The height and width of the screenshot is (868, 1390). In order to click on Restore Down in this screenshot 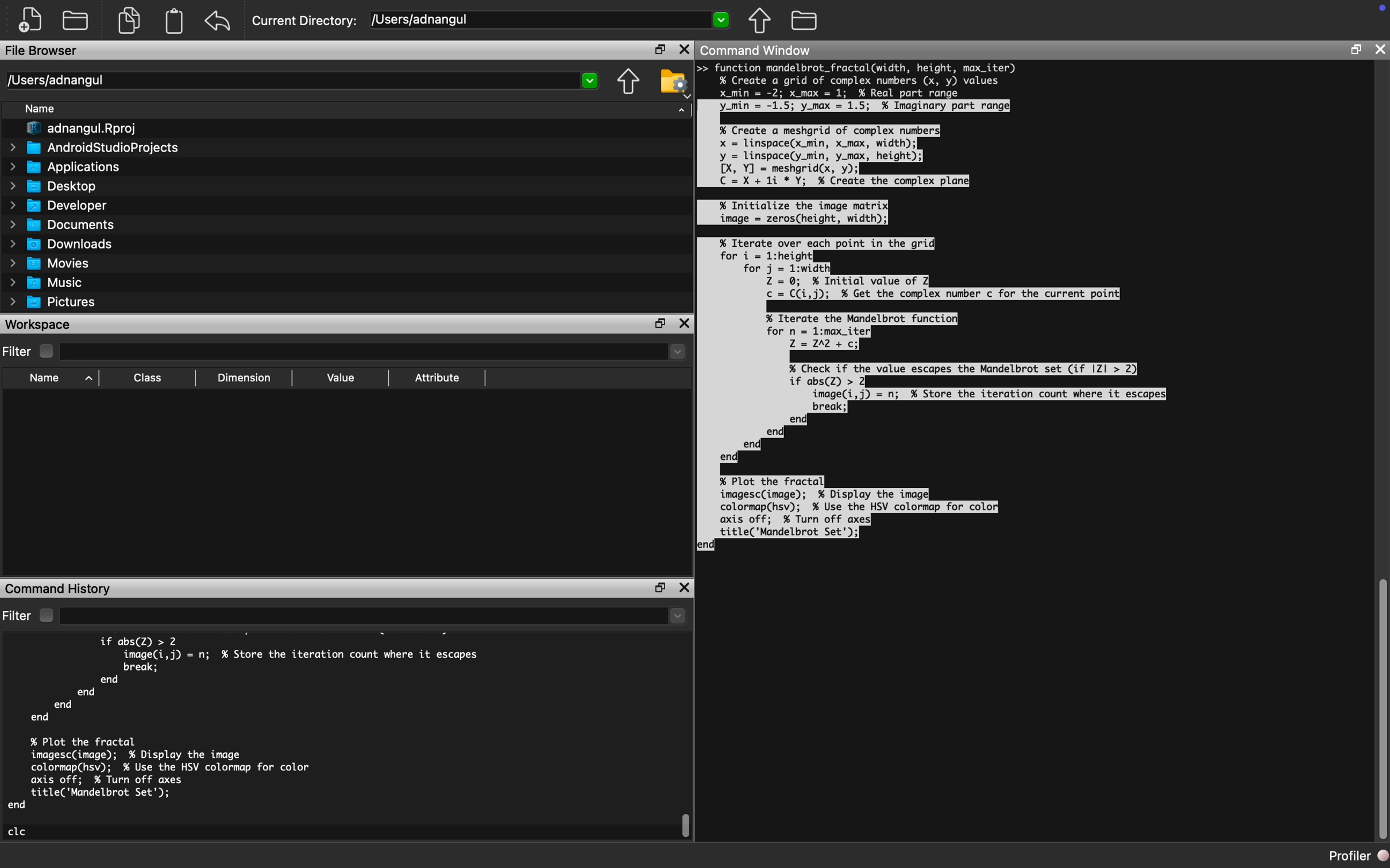, I will do `click(660, 588)`.